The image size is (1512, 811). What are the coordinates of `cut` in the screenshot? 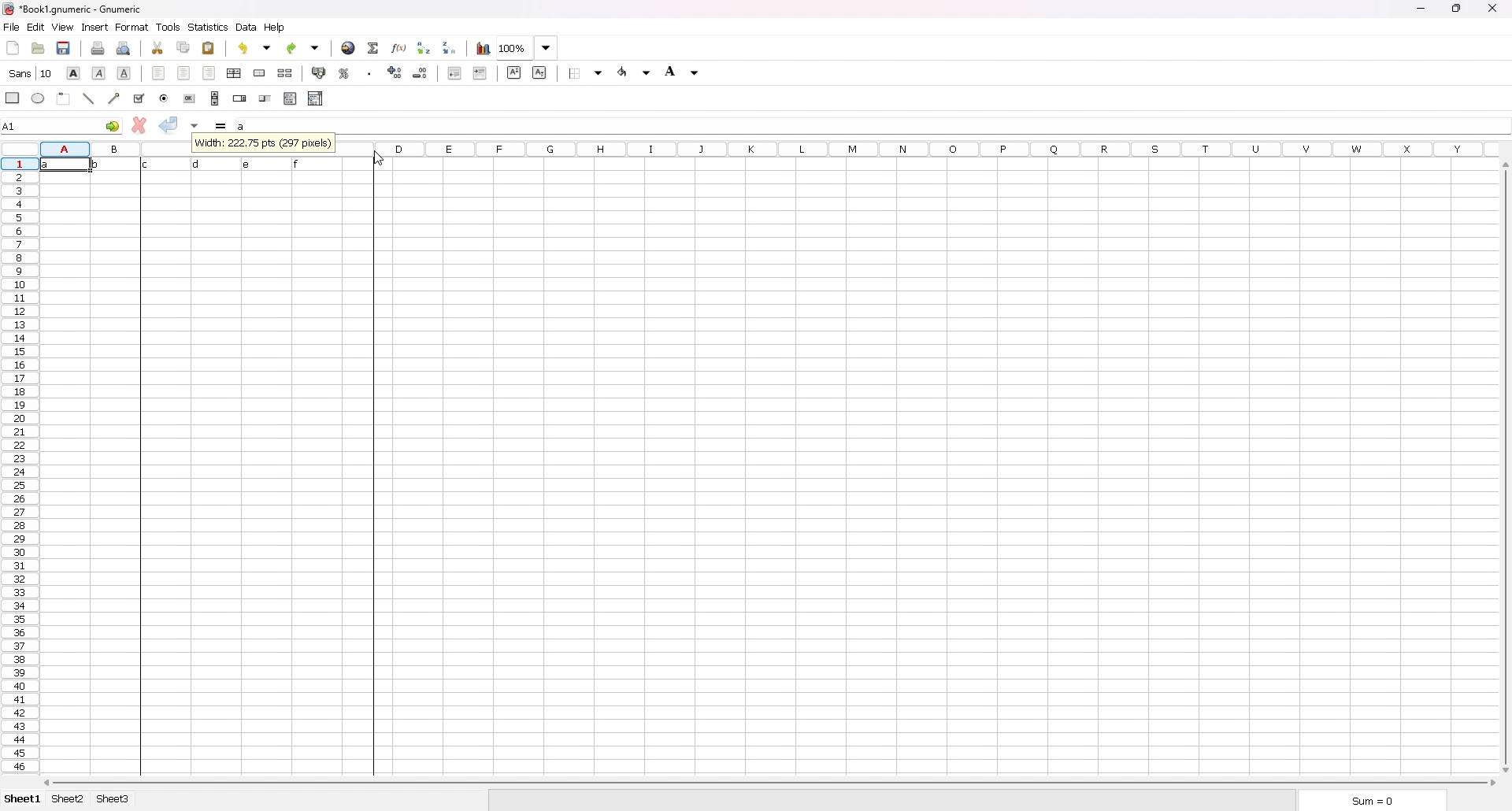 It's located at (158, 47).